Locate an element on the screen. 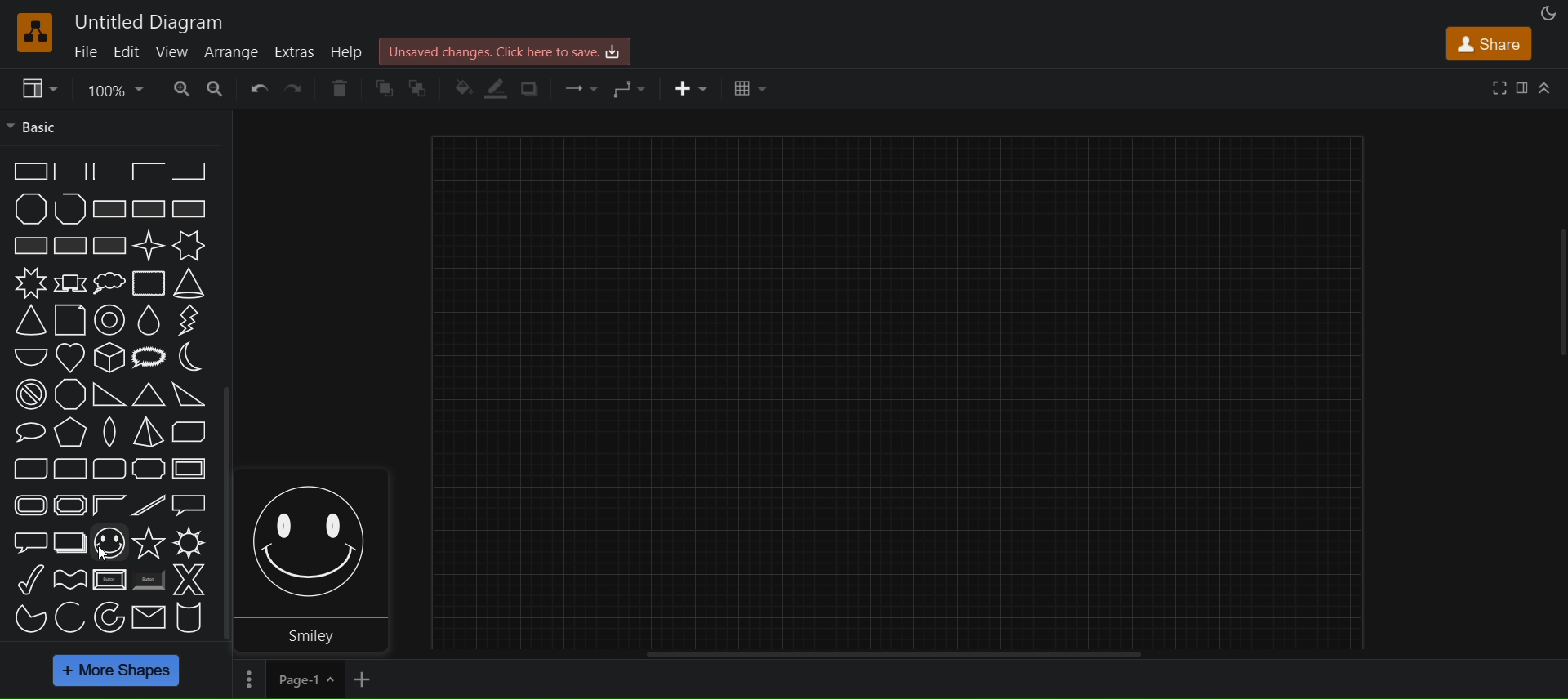  pie is located at coordinates (24, 620).